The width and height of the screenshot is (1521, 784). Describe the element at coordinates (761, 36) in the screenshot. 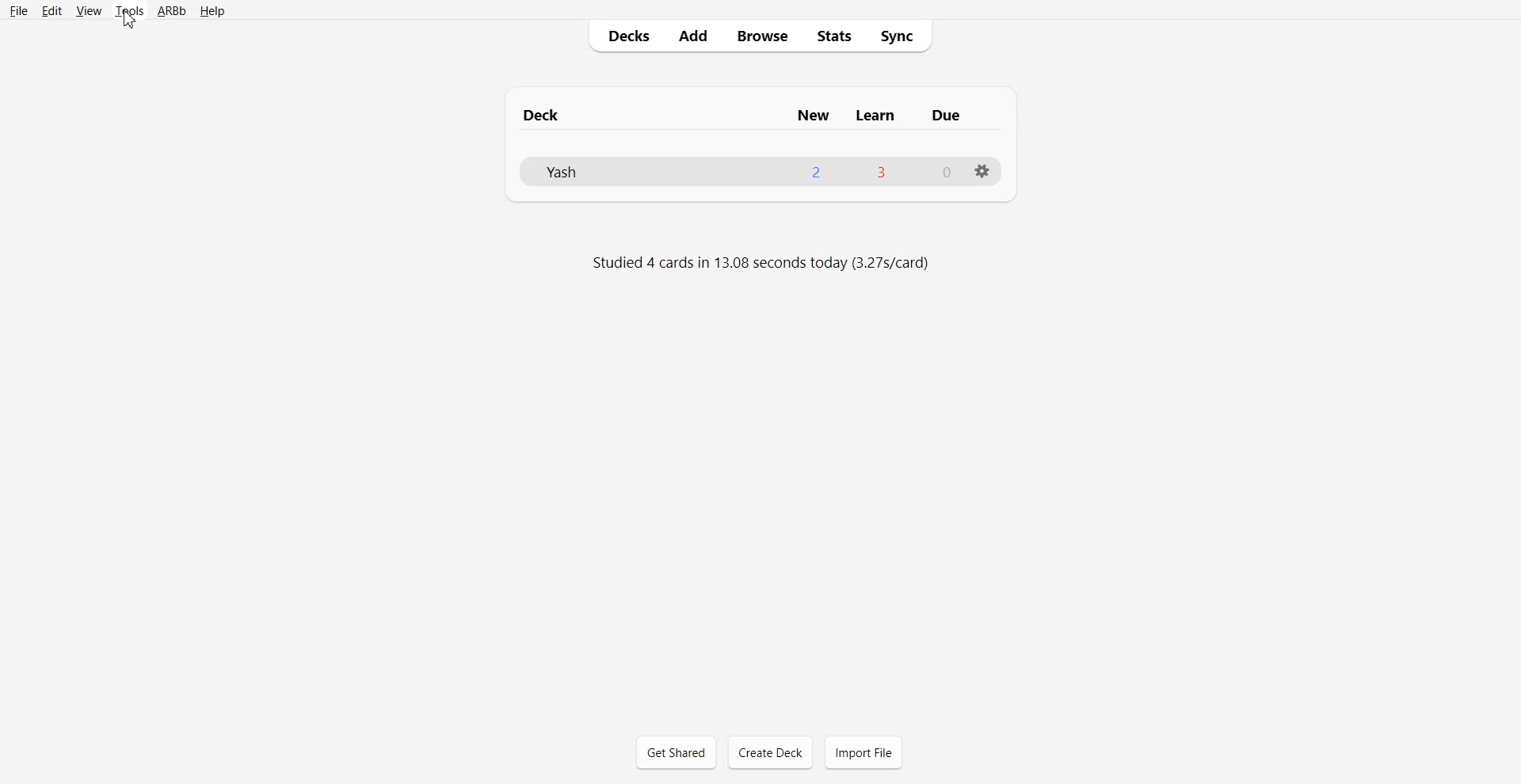

I see `Browse` at that location.